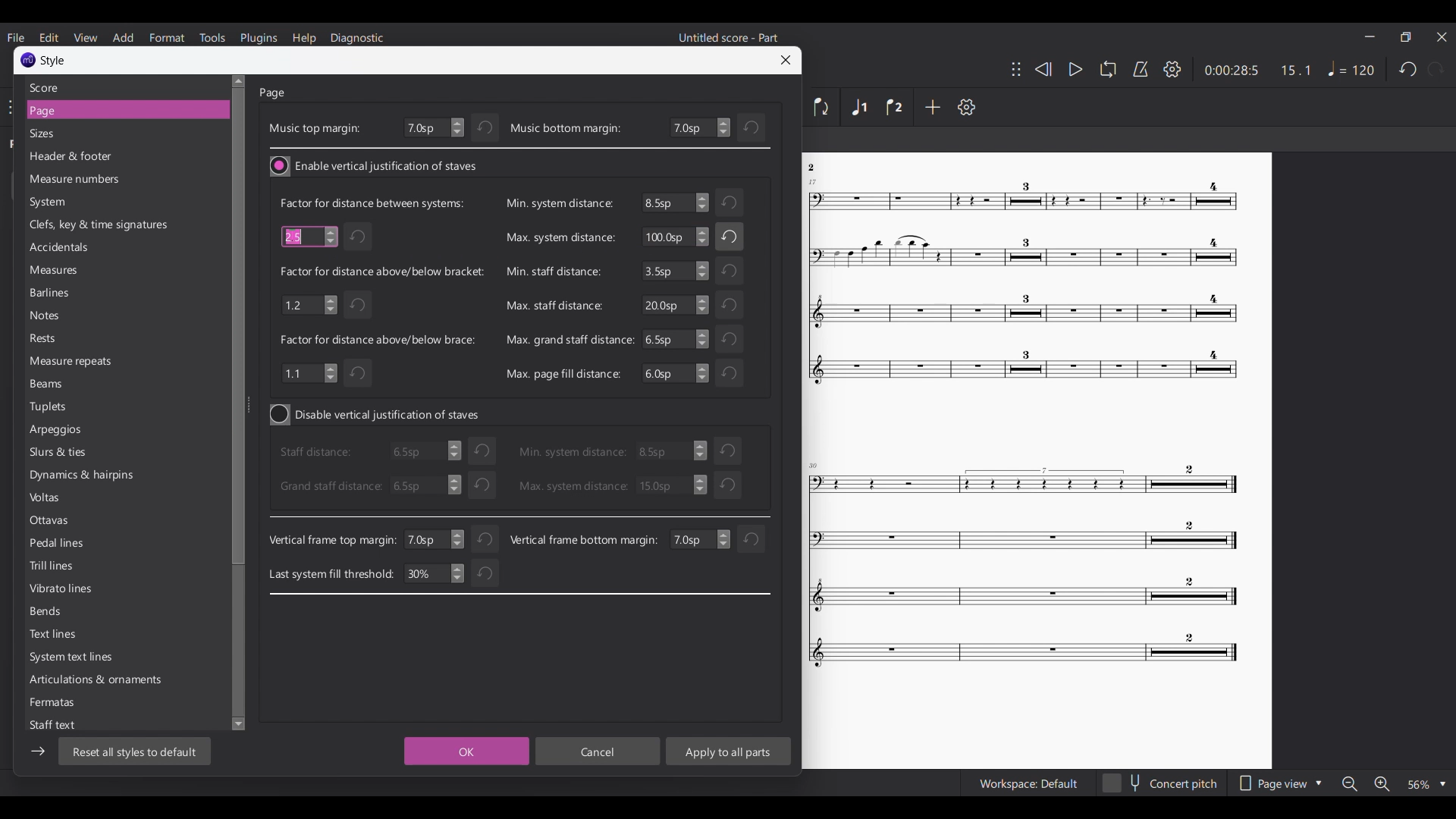  What do you see at coordinates (329, 486) in the screenshot?
I see `Grand staff distance` at bounding box center [329, 486].